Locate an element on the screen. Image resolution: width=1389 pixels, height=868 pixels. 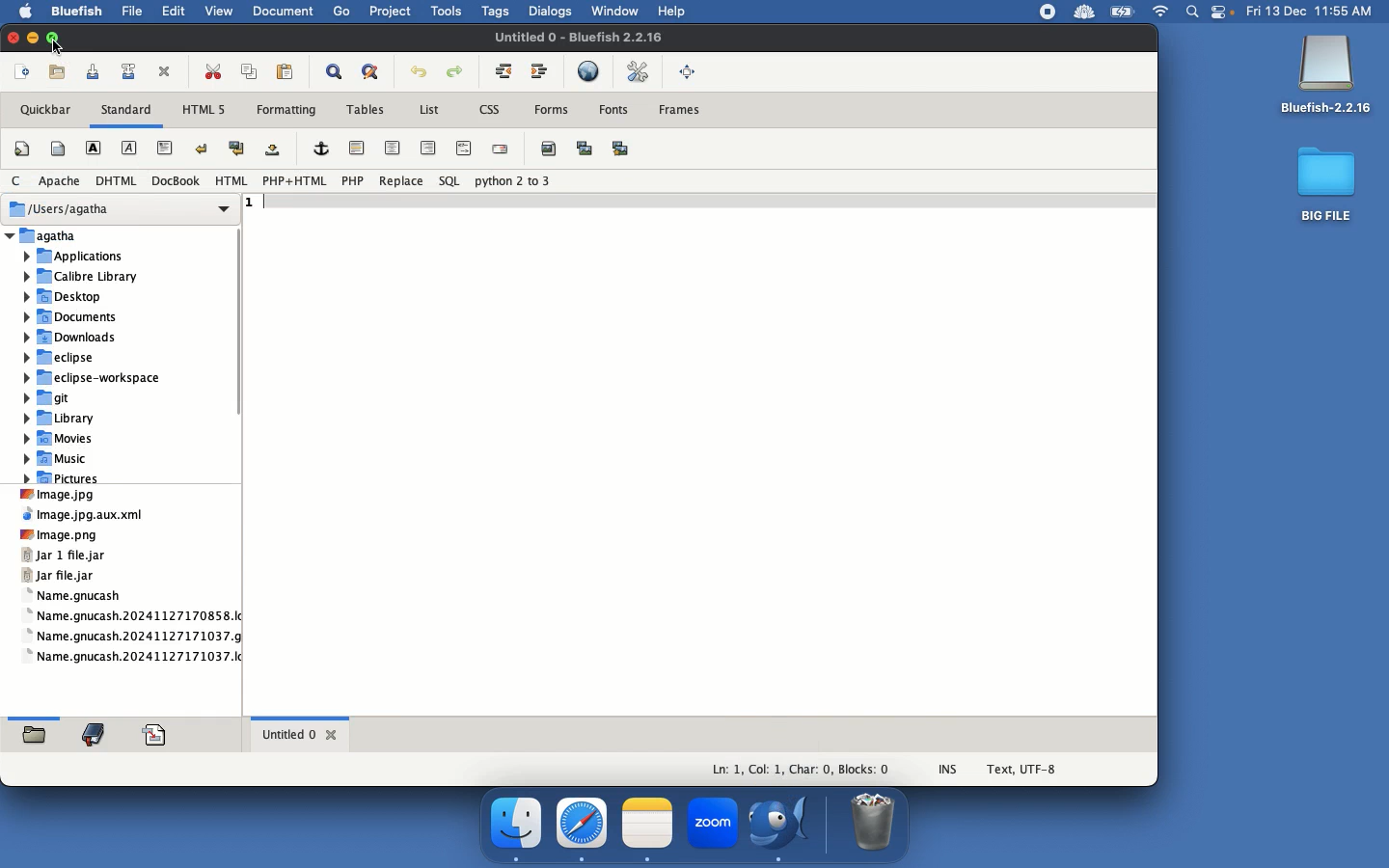
zoom is located at coordinates (711, 826).